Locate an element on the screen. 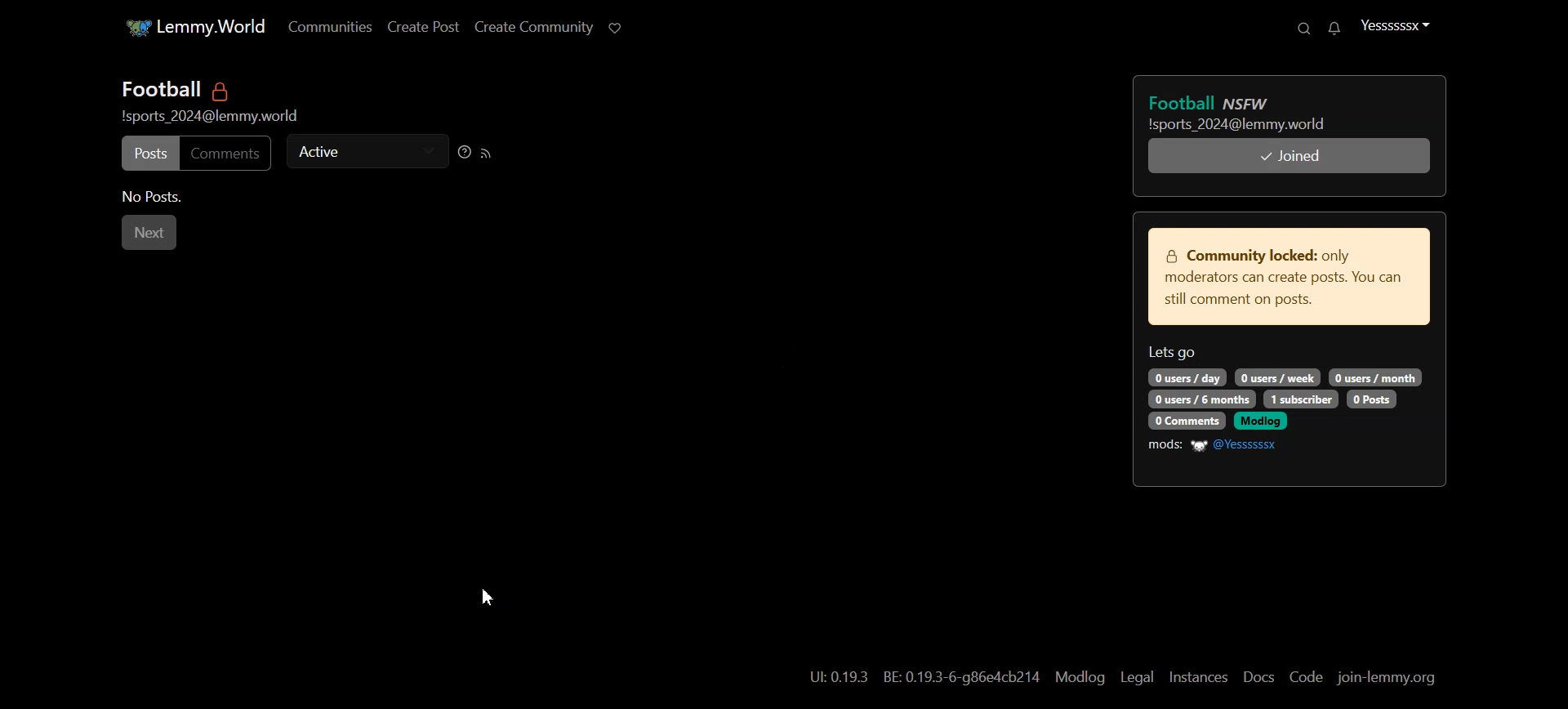  text is located at coordinates (1188, 377).